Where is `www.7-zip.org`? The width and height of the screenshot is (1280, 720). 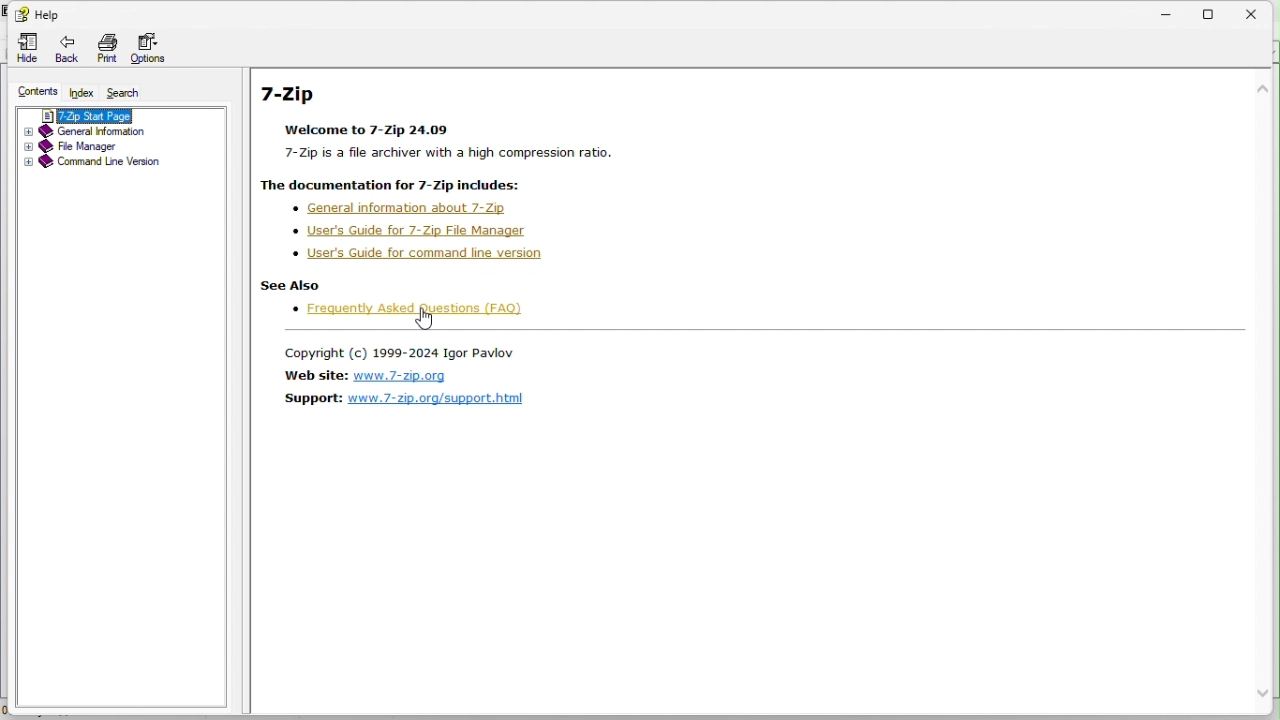 www.7-zip.org is located at coordinates (400, 375).